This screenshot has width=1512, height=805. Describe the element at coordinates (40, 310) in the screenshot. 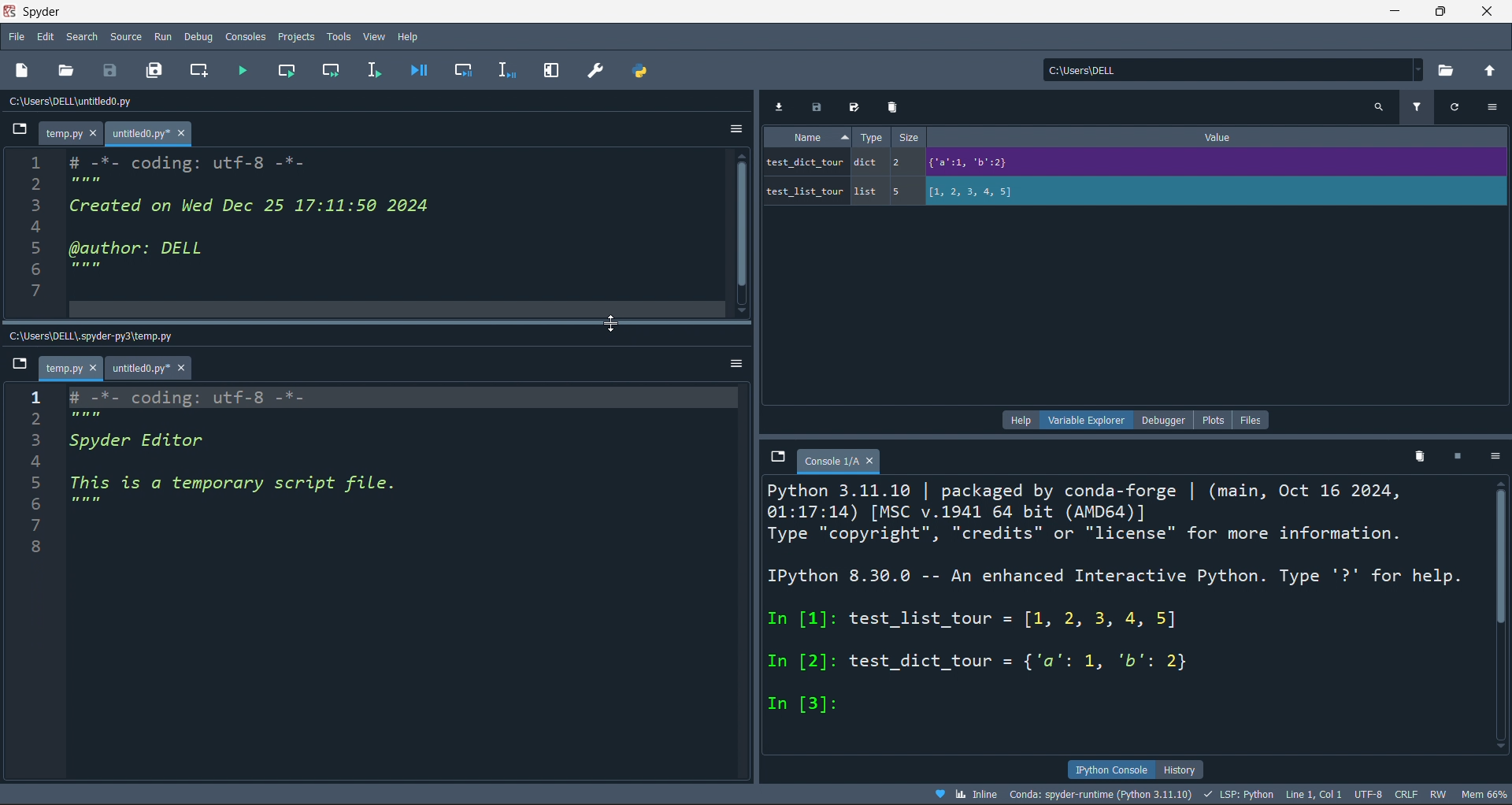

I see `8` at that location.